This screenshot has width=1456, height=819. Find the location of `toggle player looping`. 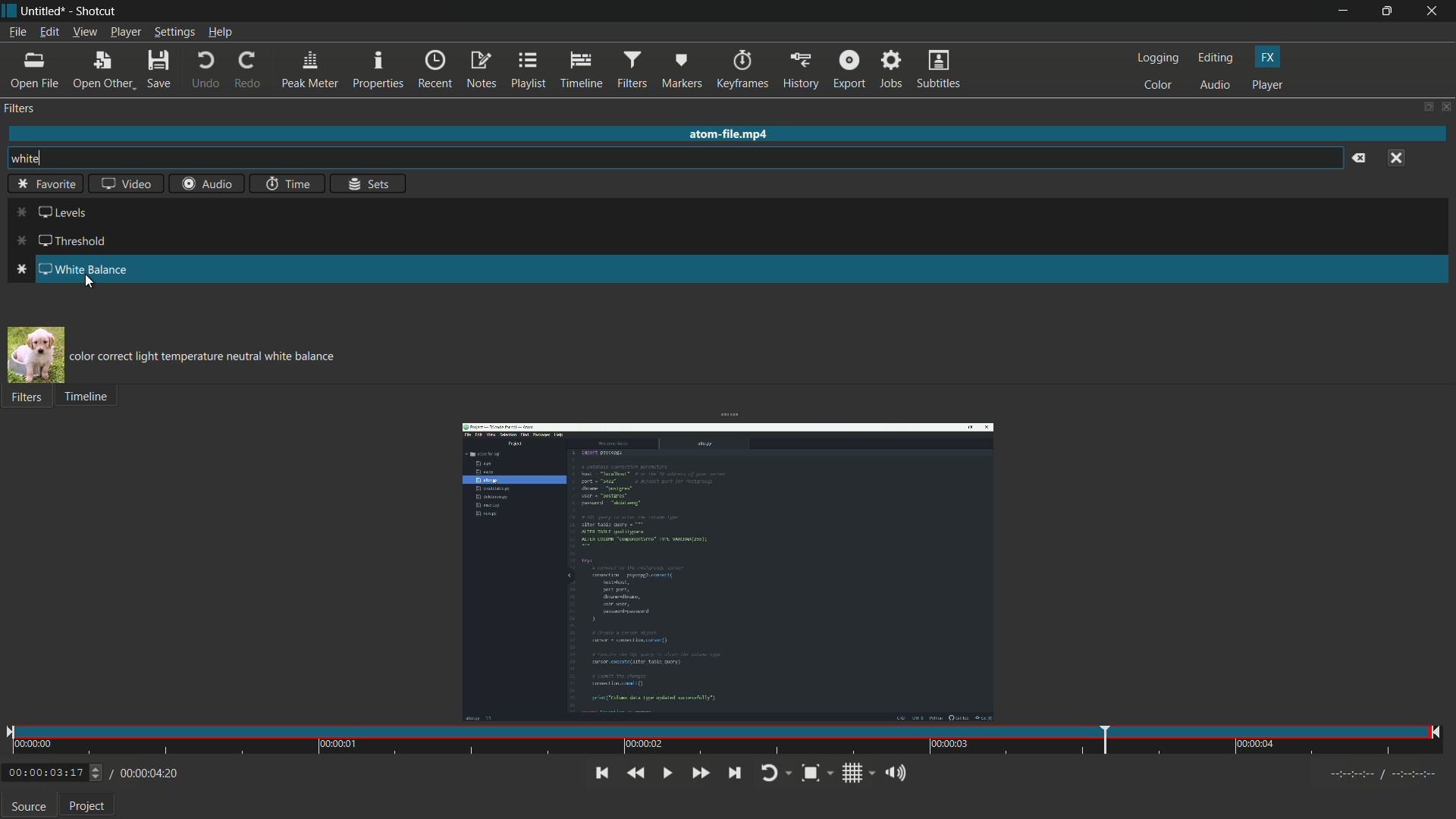

toggle player looping is located at coordinates (777, 773).